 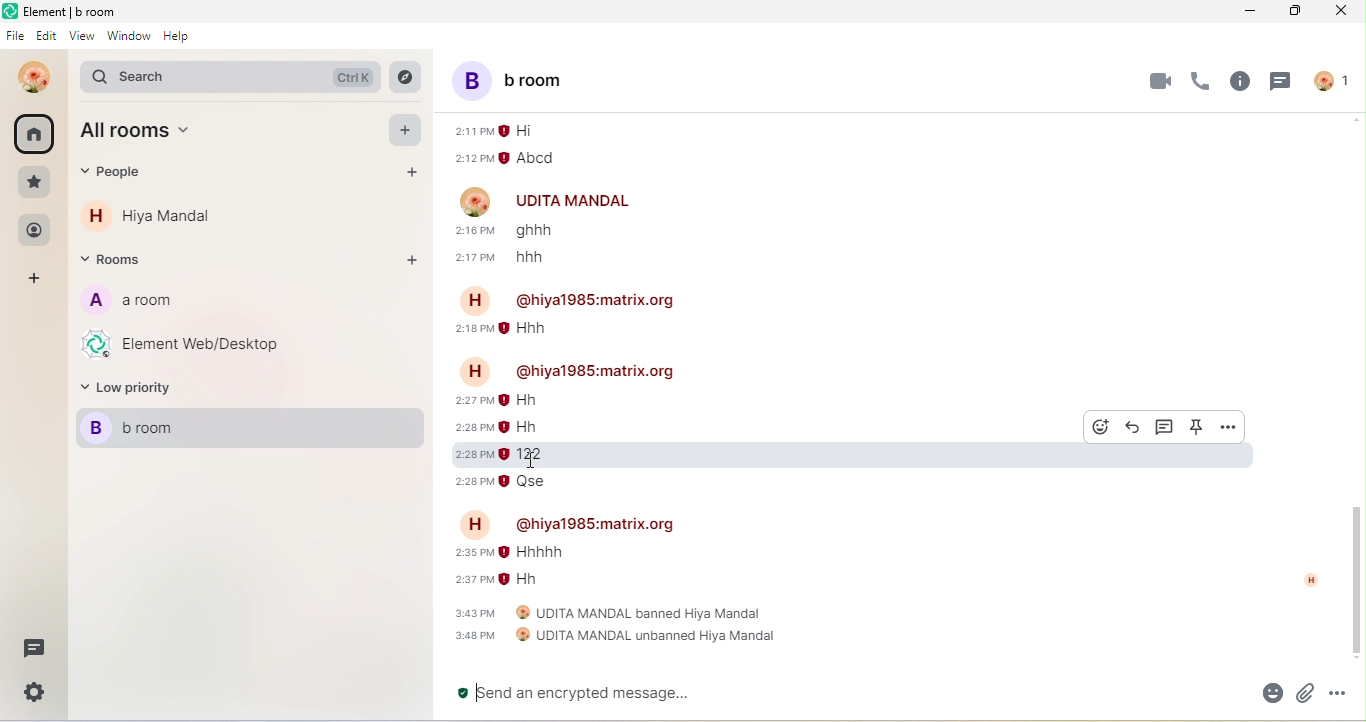 What do you see at coordinates (505, 158) in the screenshot?
I see `2:12 pm Abcd` at bounding box center [505, 158].